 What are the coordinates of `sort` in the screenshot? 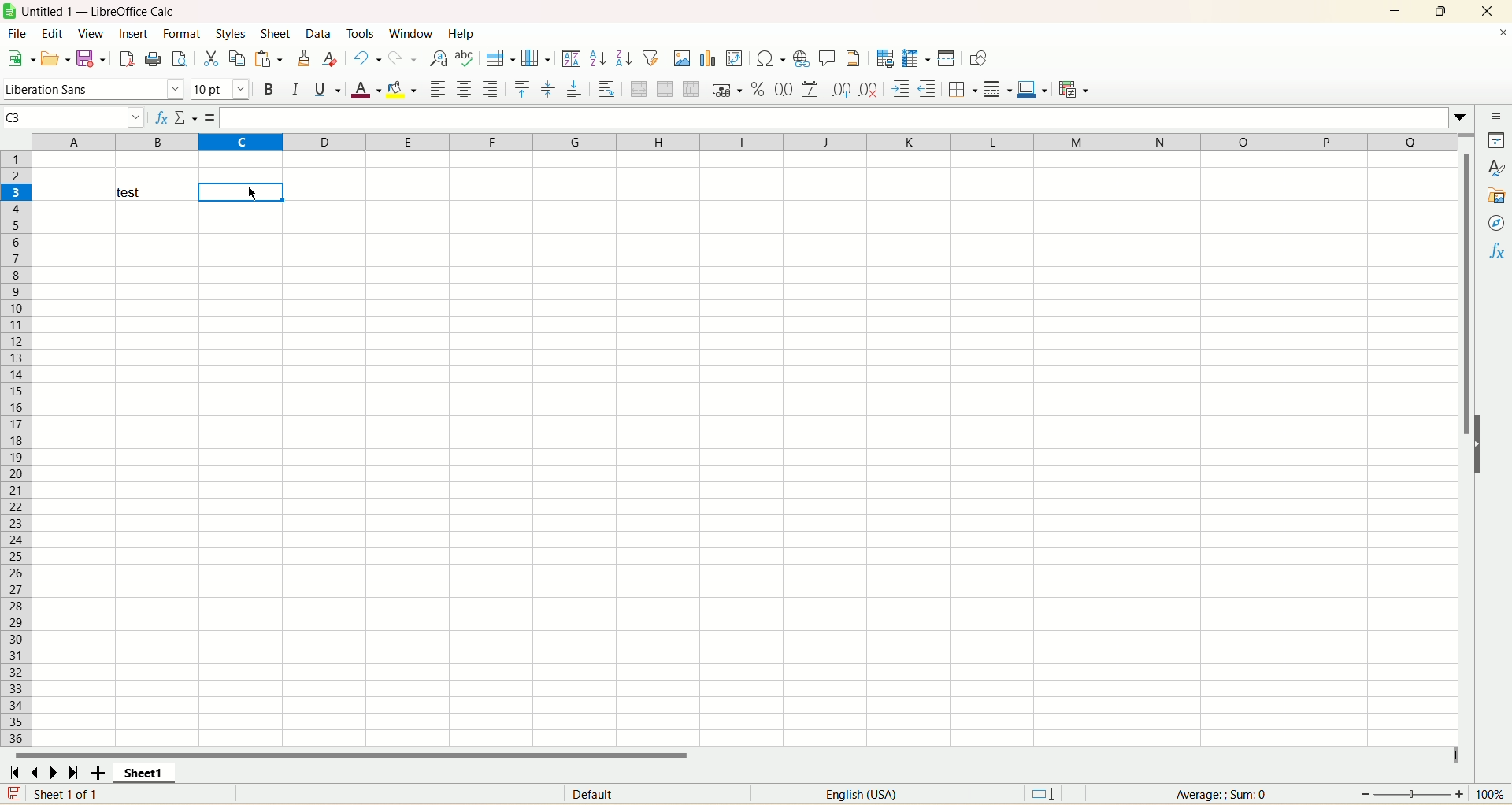 It's located at (572, 58).